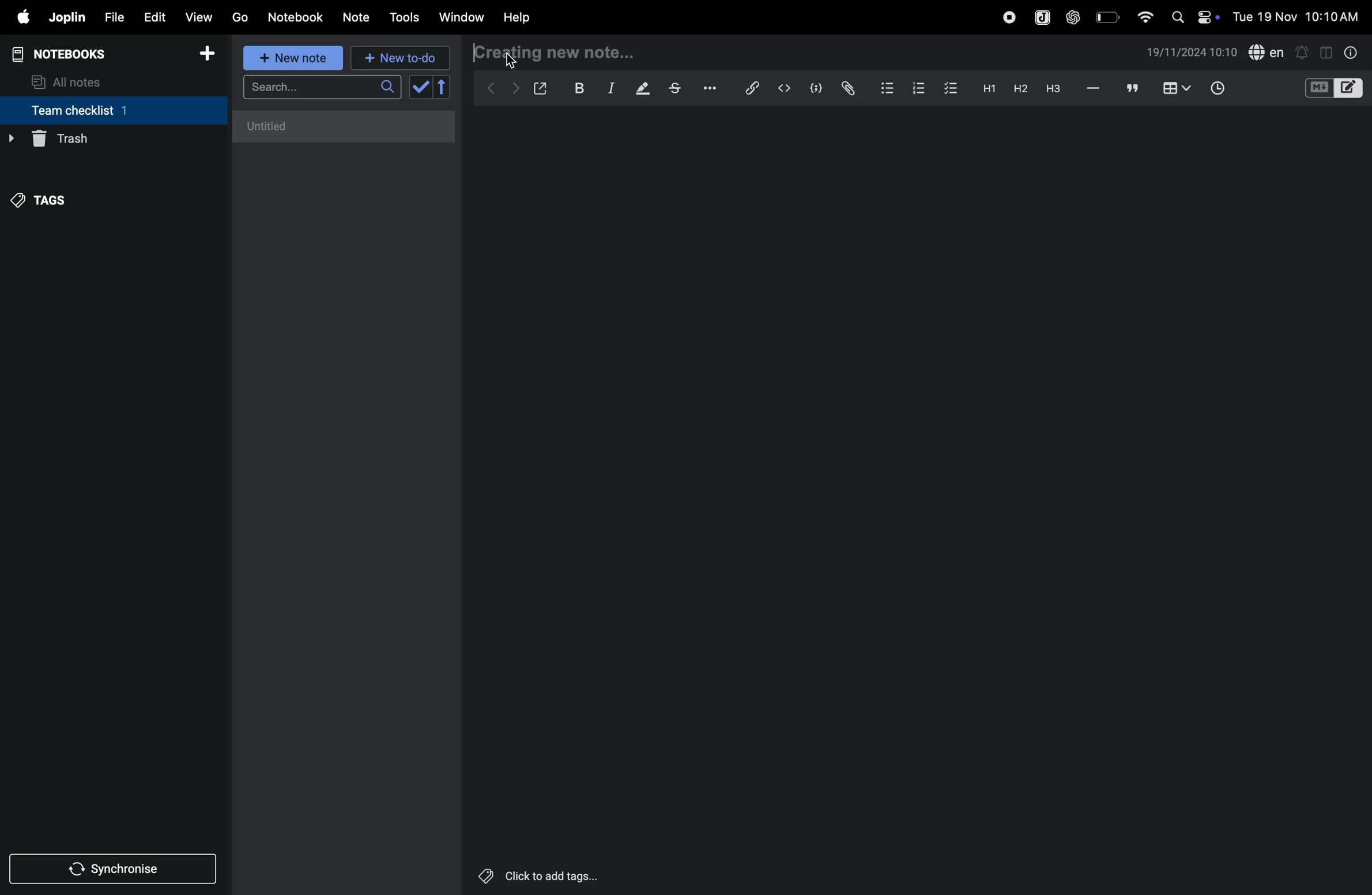 This screenshot has height=895, width=1372. Describe the element at coordinates (66, 52) in the screenshot. I see `notebooks` at that location.